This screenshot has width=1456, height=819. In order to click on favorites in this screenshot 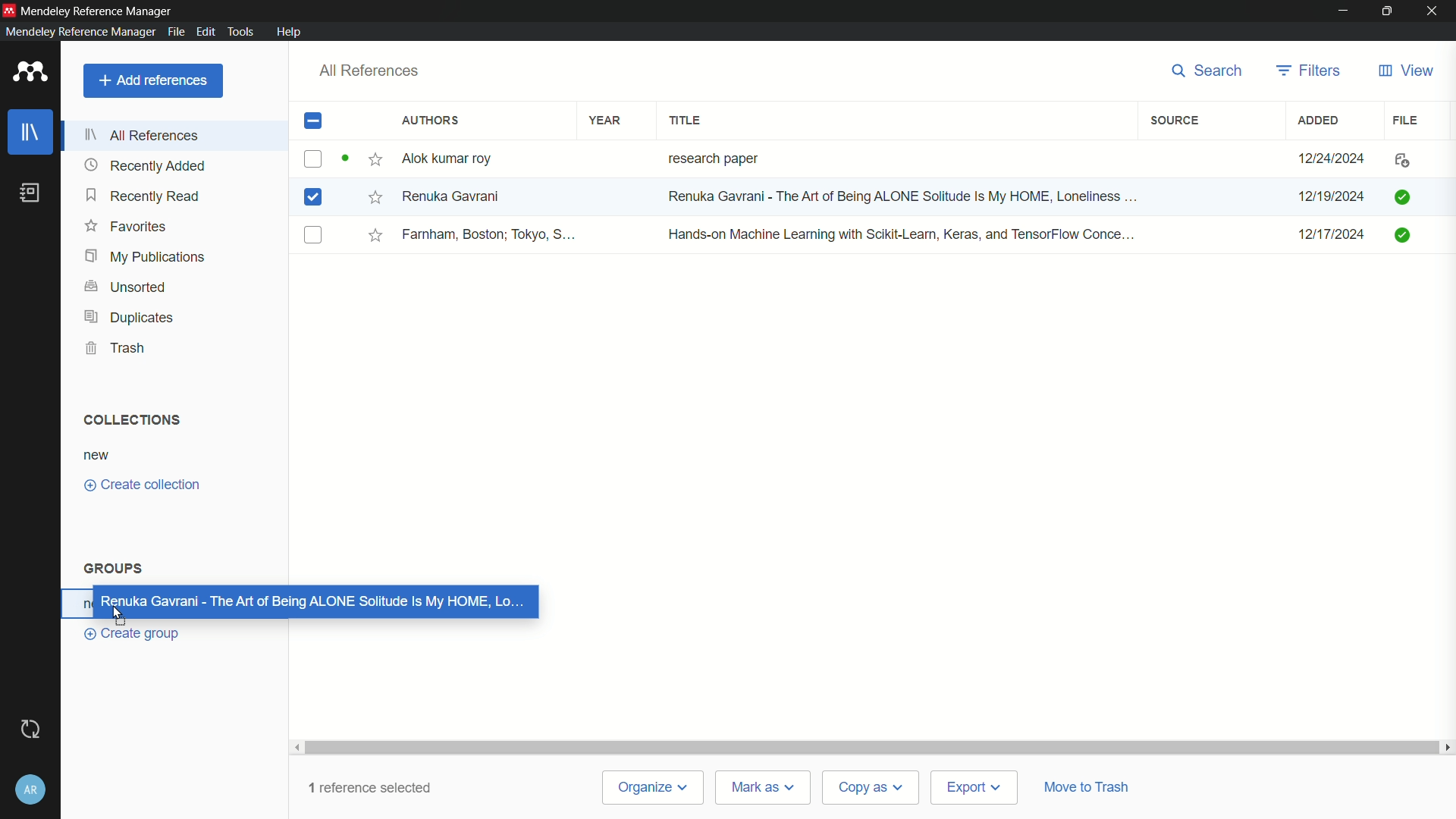, I will do `click(127, 227)`.